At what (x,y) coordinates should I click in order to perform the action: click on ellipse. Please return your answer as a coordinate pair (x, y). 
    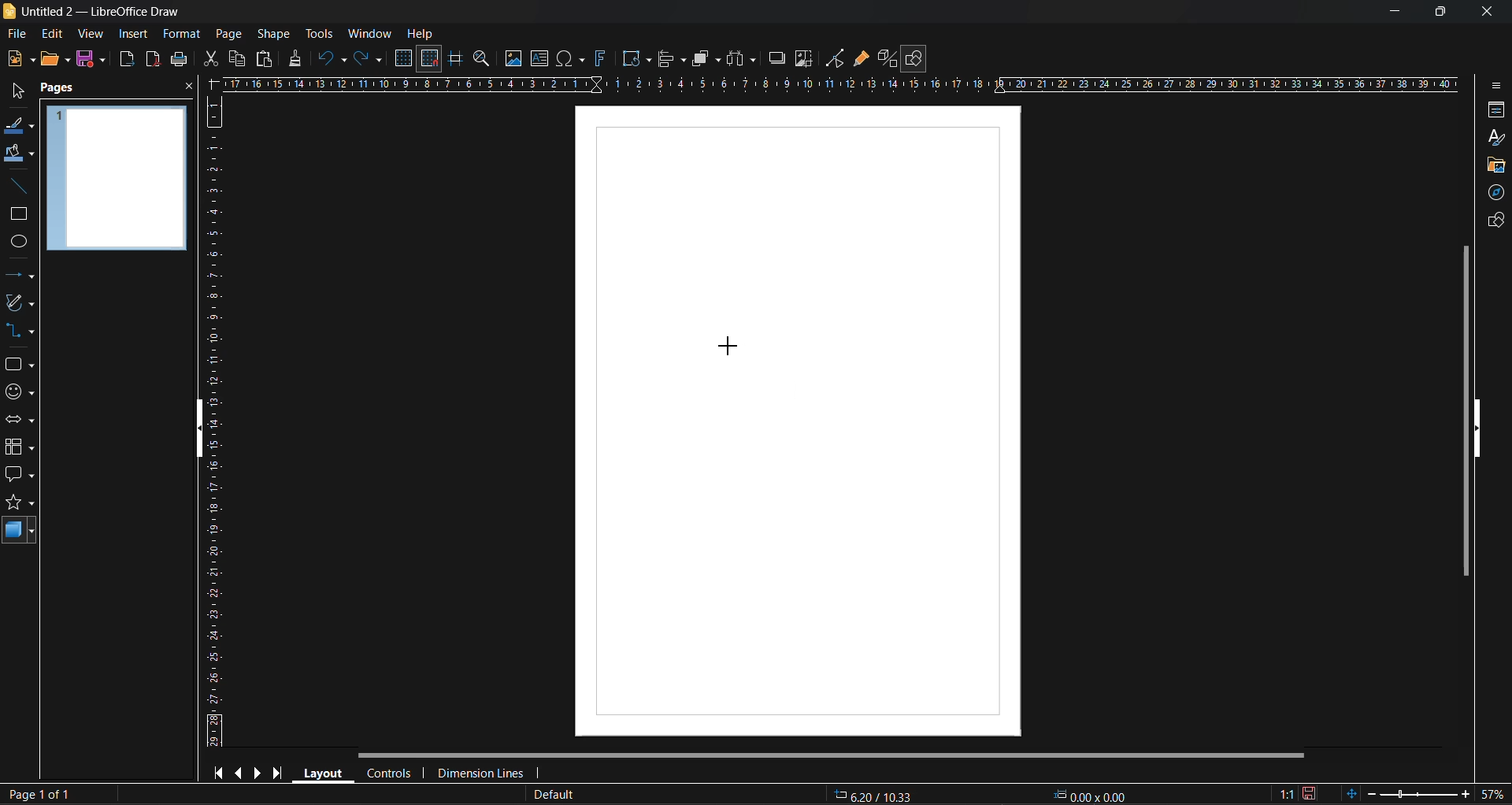
    Looking at the image, I should click on (19, 243).